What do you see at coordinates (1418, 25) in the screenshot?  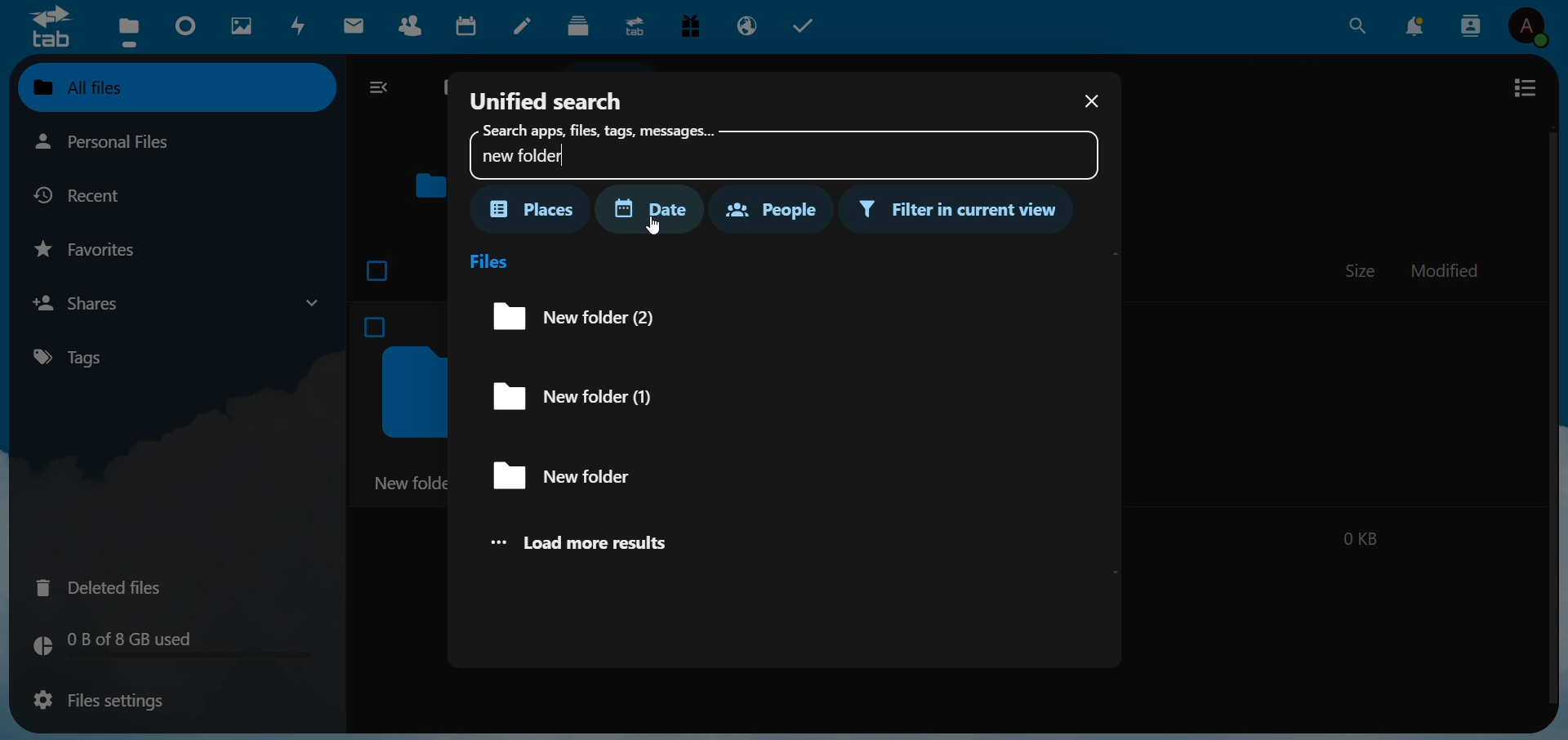 I see `notification` at bounding box center [1418, 25].